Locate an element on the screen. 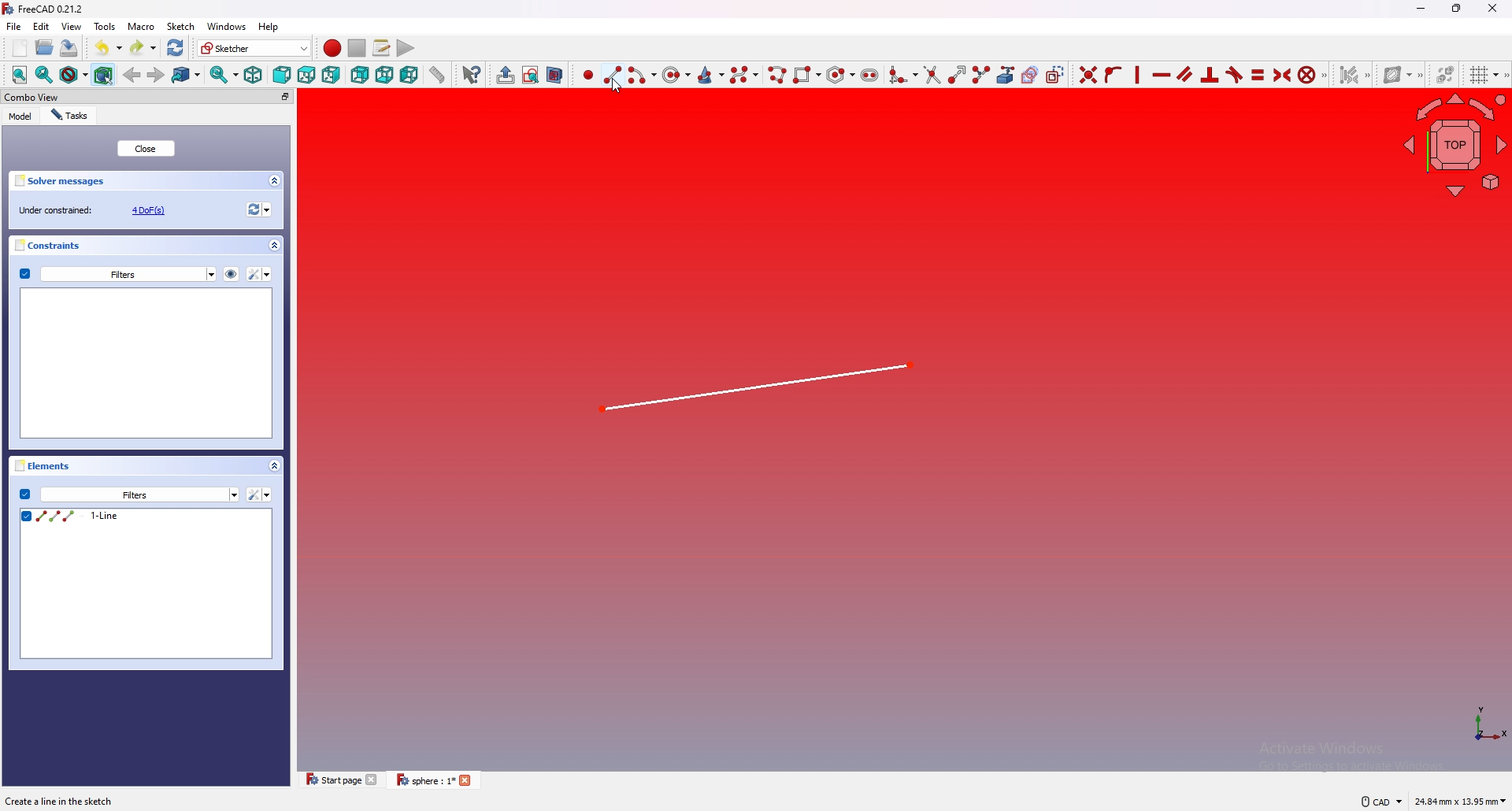 The width and height of the screenshot is (1512, 811). Constrain coincident is located at coordinates (1085, 74).